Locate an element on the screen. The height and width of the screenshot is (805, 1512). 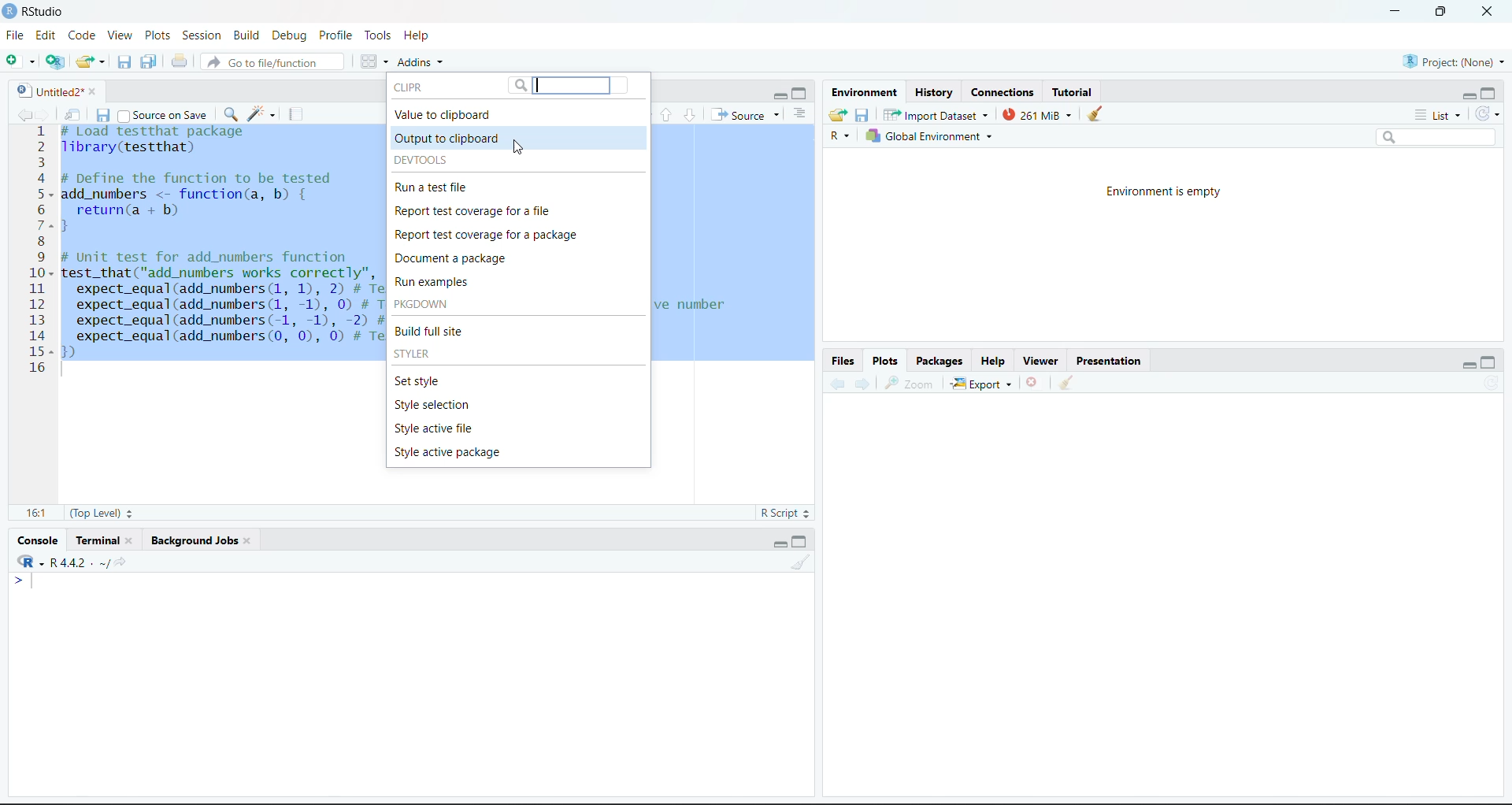
R -R 4.4.2 . ~/ is located at coordinates (76, 562).